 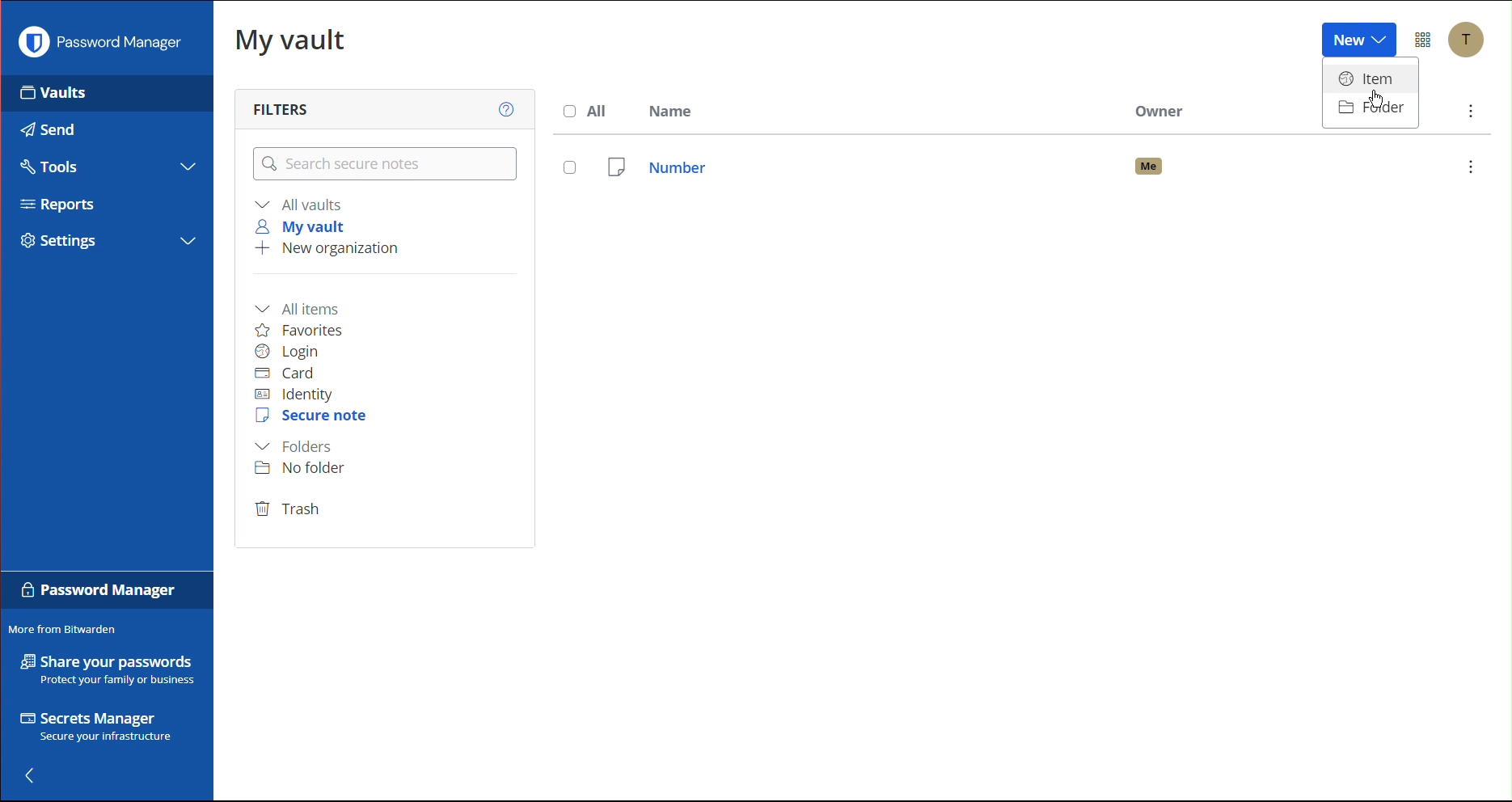 What do you see at coordinates (1051, 167) in the screenshot?
I see `Number` at bounding box center [1051, 167].